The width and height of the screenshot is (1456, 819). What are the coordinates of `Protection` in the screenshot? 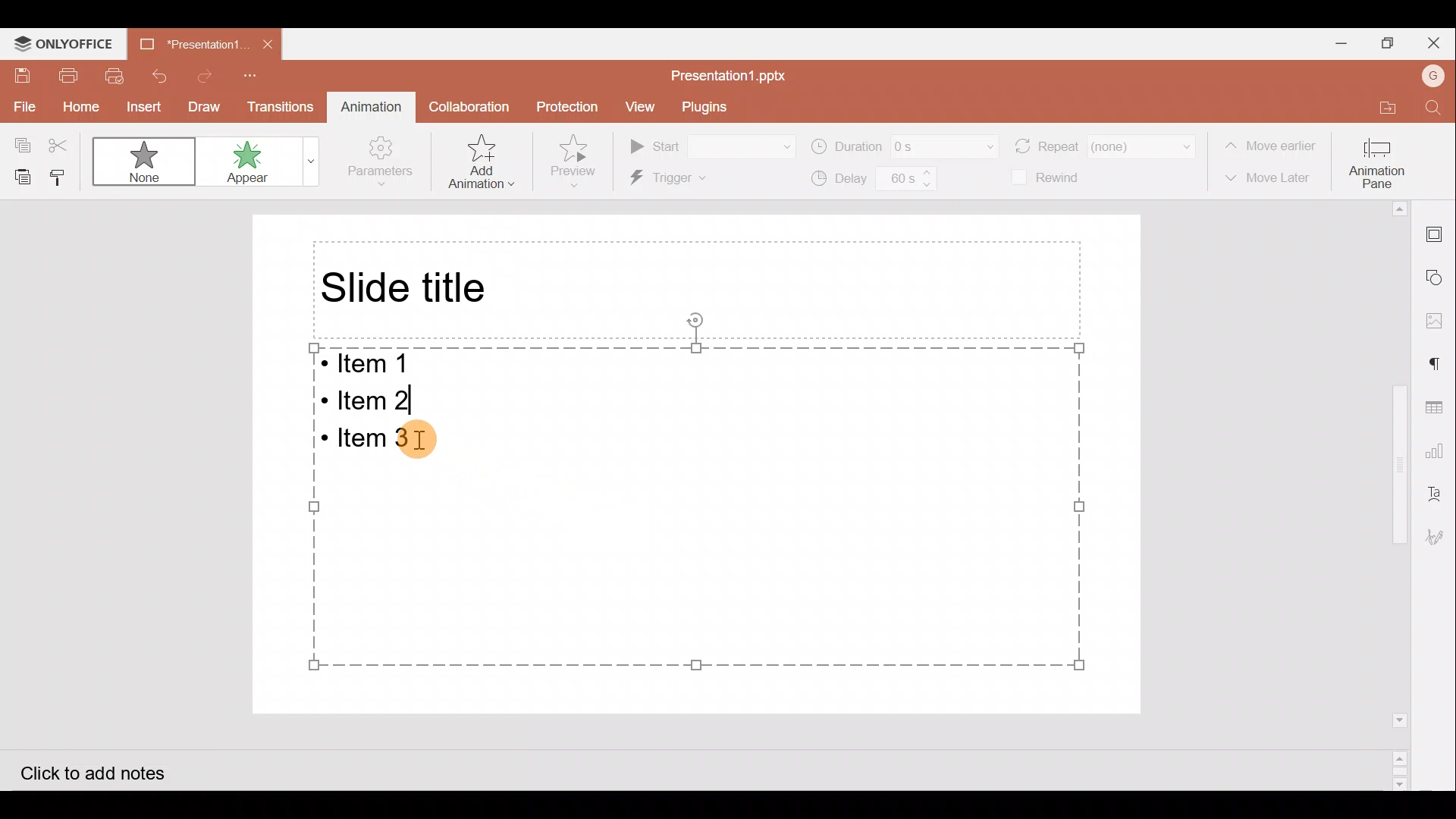 It's located at (566, 108).